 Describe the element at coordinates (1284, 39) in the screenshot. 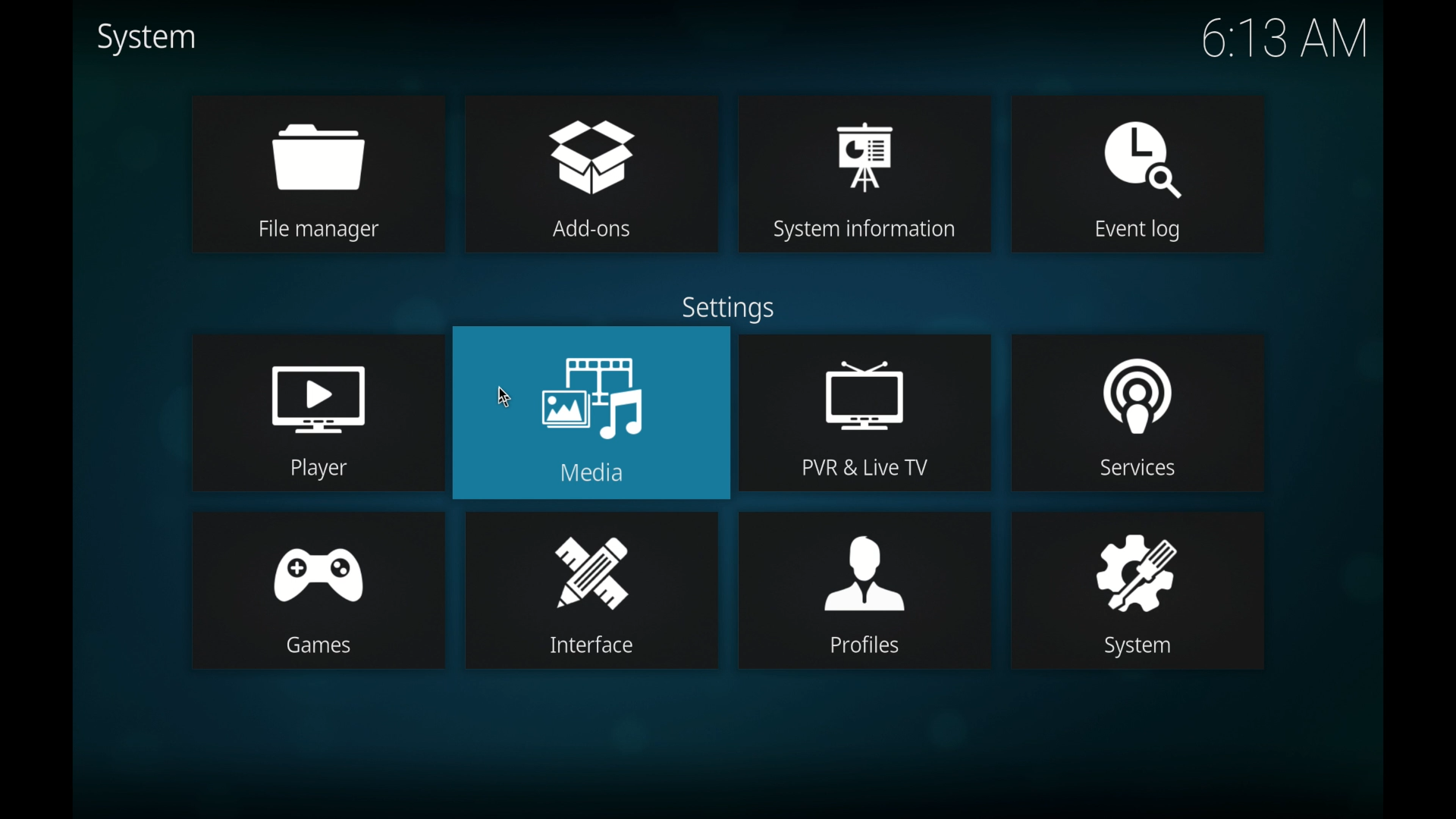

I see `time` at that location.